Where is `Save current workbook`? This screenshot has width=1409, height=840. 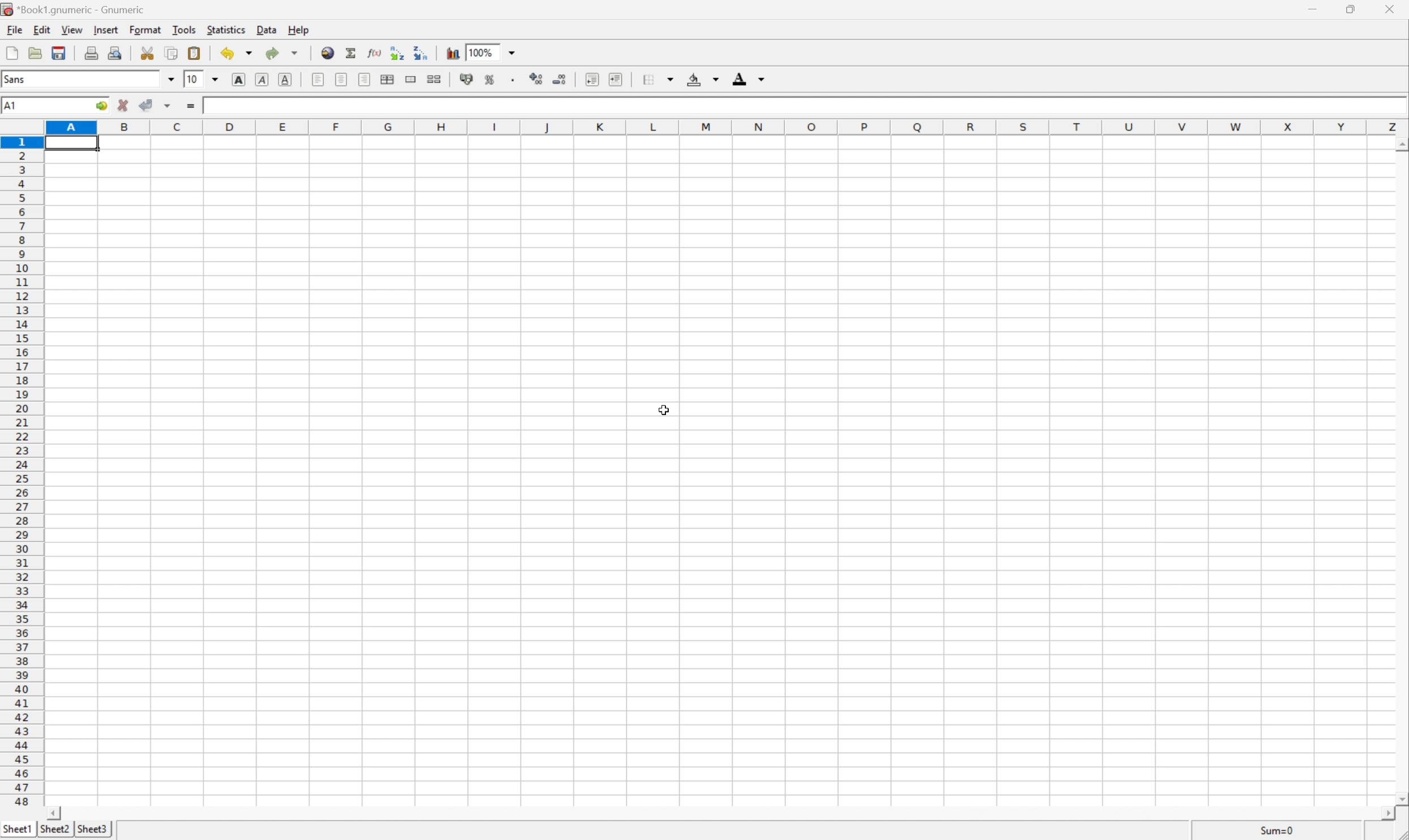
Save current workbook is located at coordinates (60, 53).